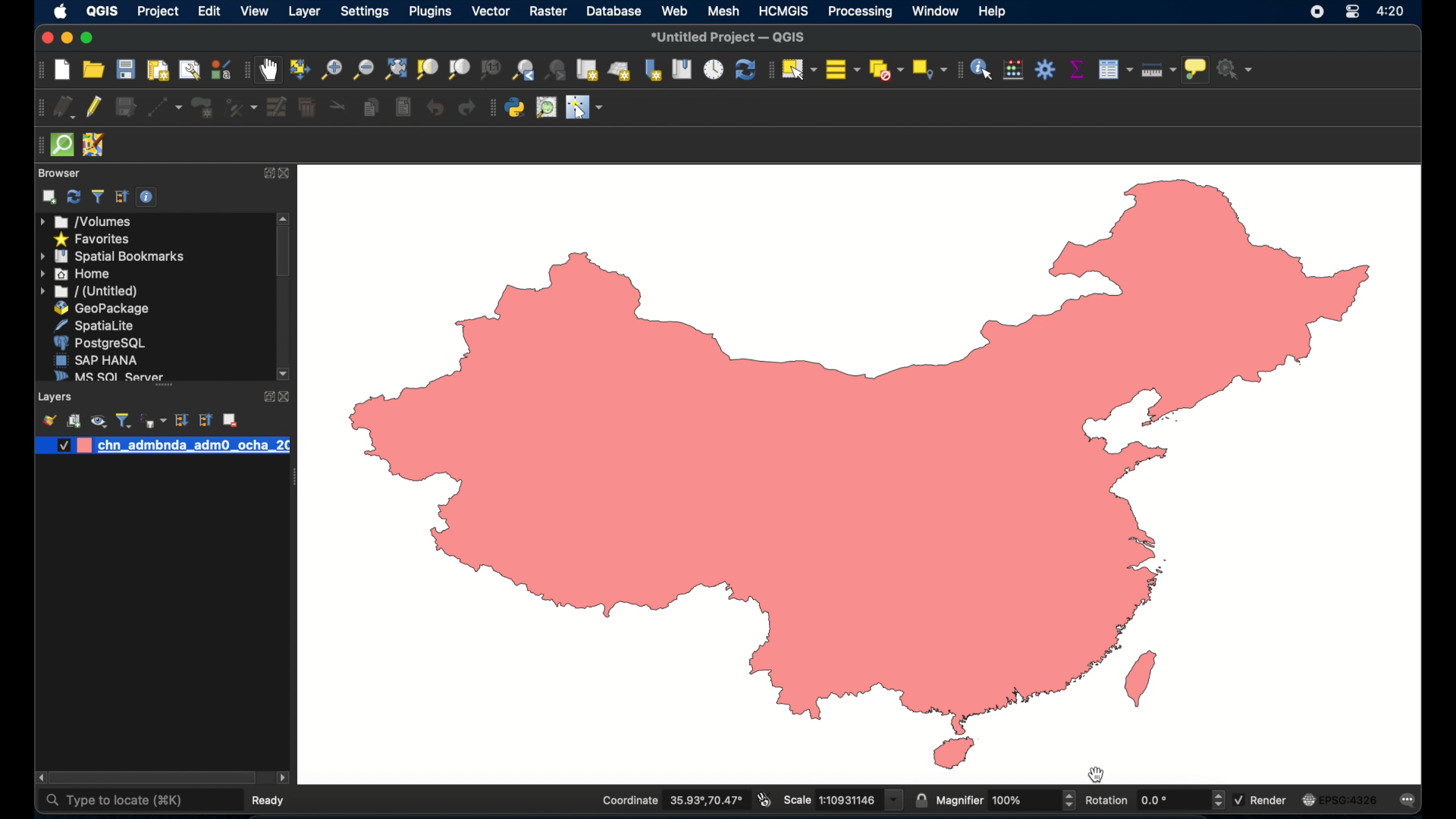 The height and width of the screenshot is (819, 1456). I want to click on filter legend by expression, so click(155, 420).